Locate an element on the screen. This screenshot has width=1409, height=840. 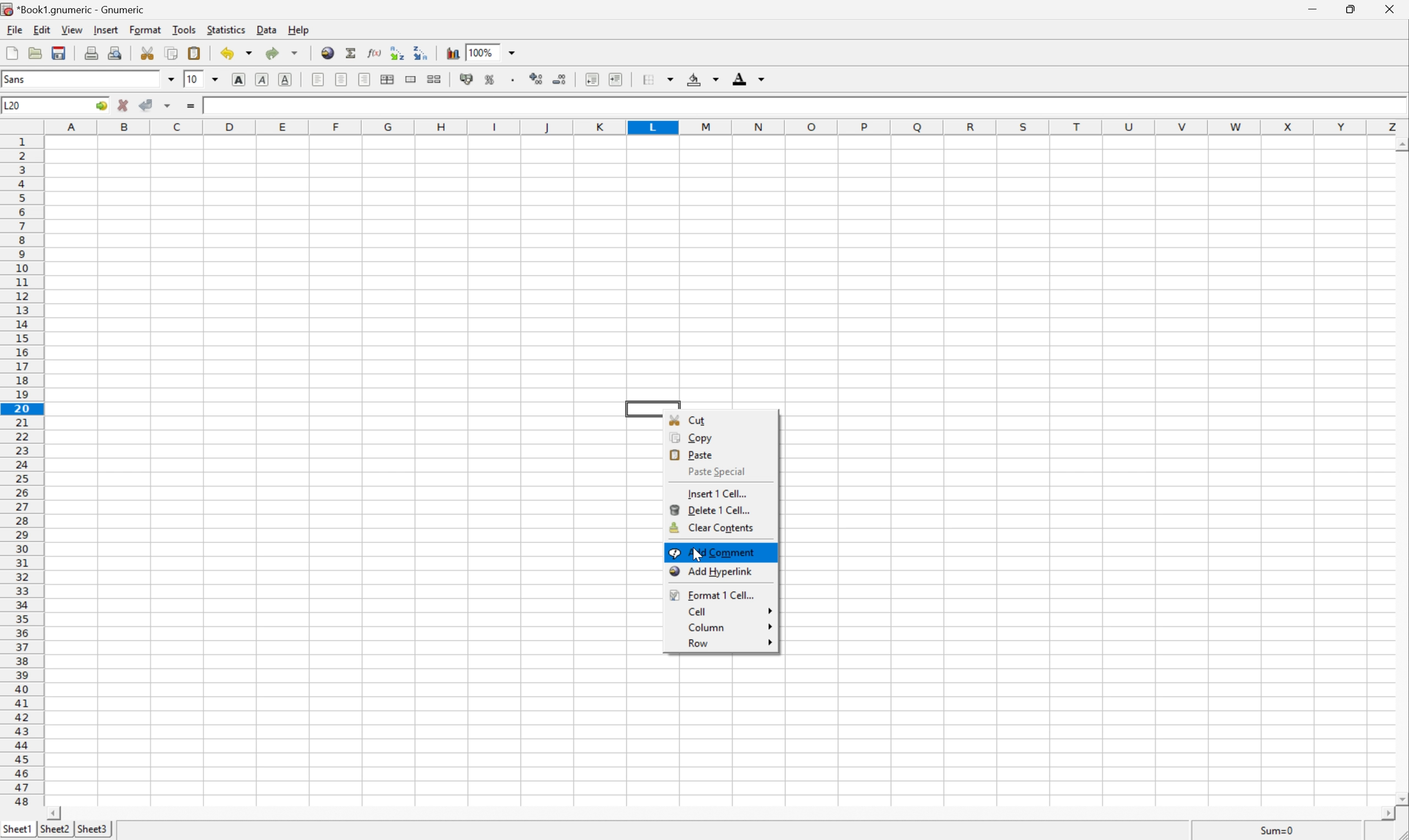
Drop Down is located at coordinates (513, 52).